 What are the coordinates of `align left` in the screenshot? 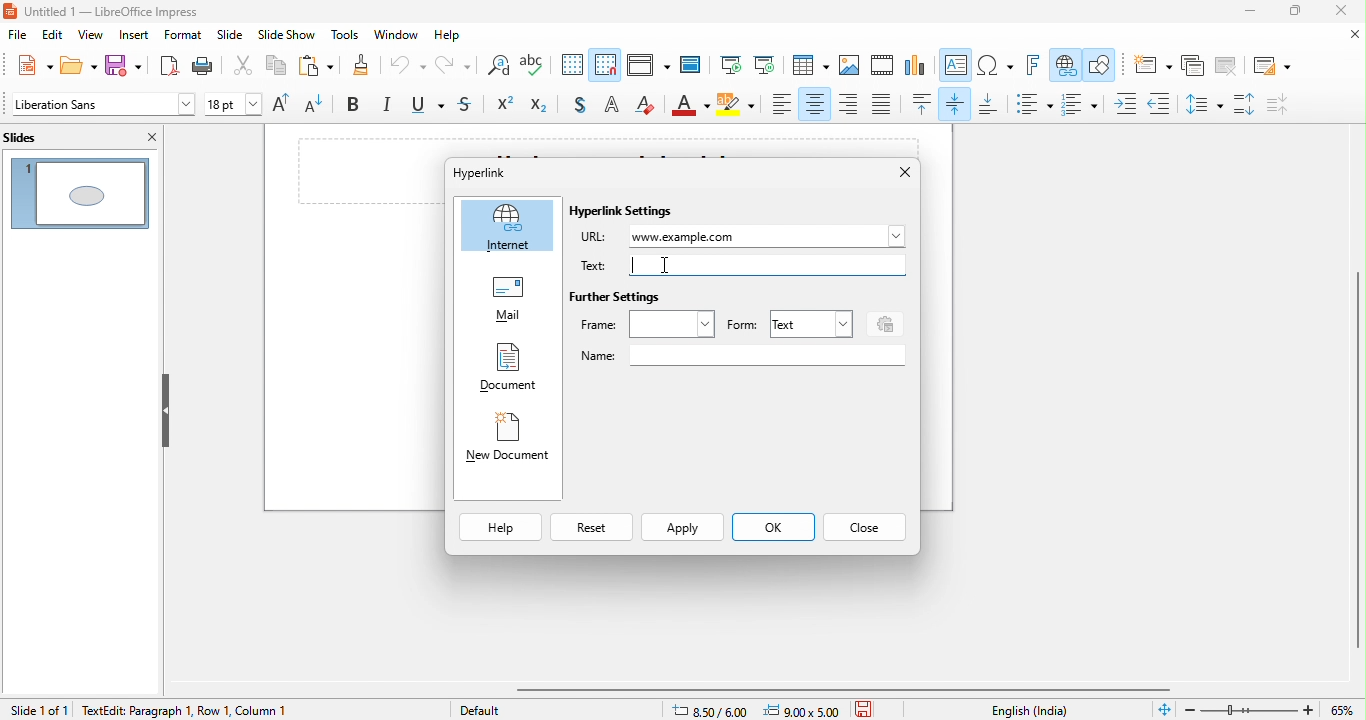 It's located at (782, 104).